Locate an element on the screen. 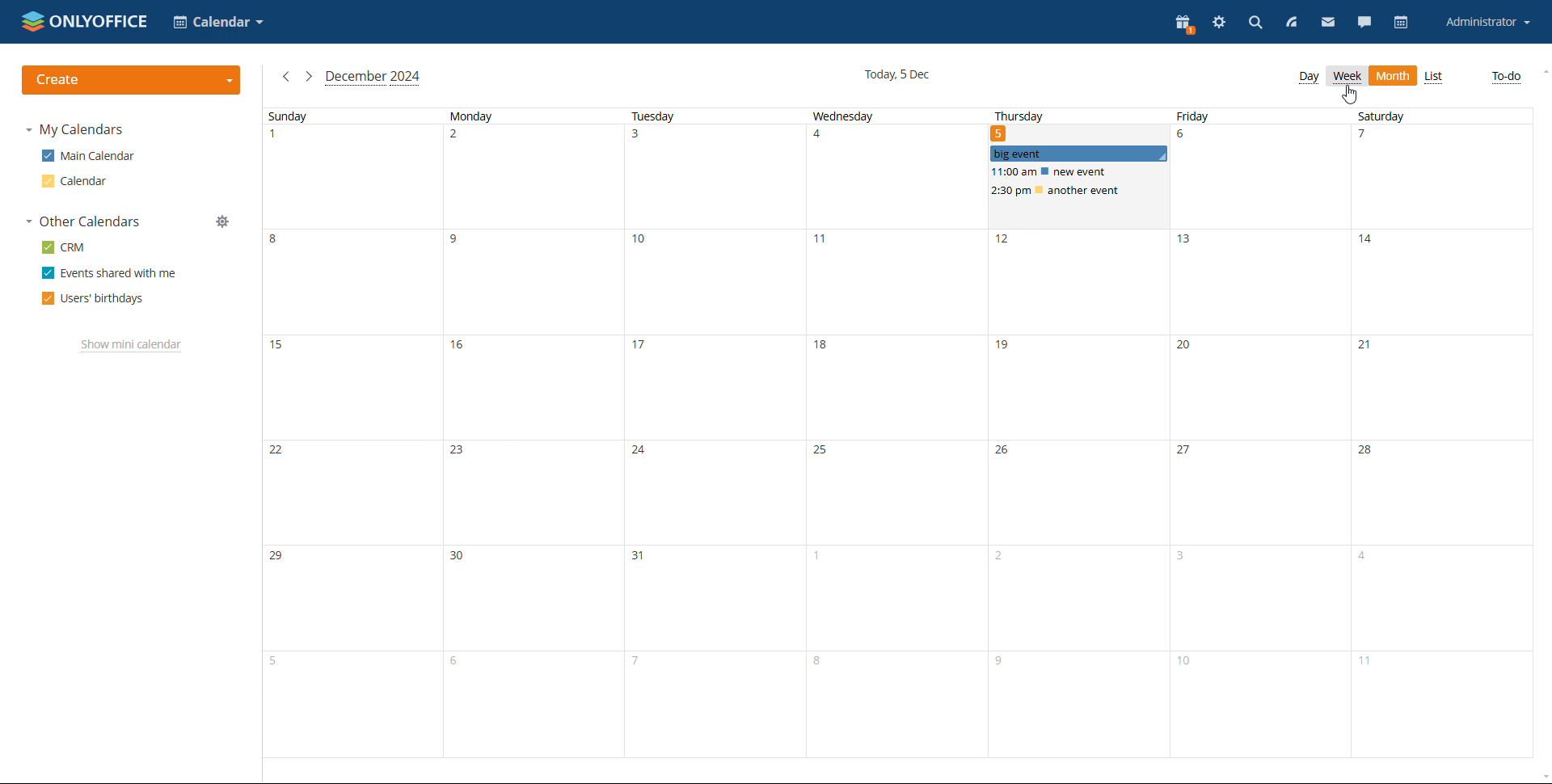 This screenshot has width=1552, height=784. thursday is located at coordinates (1023, 115).